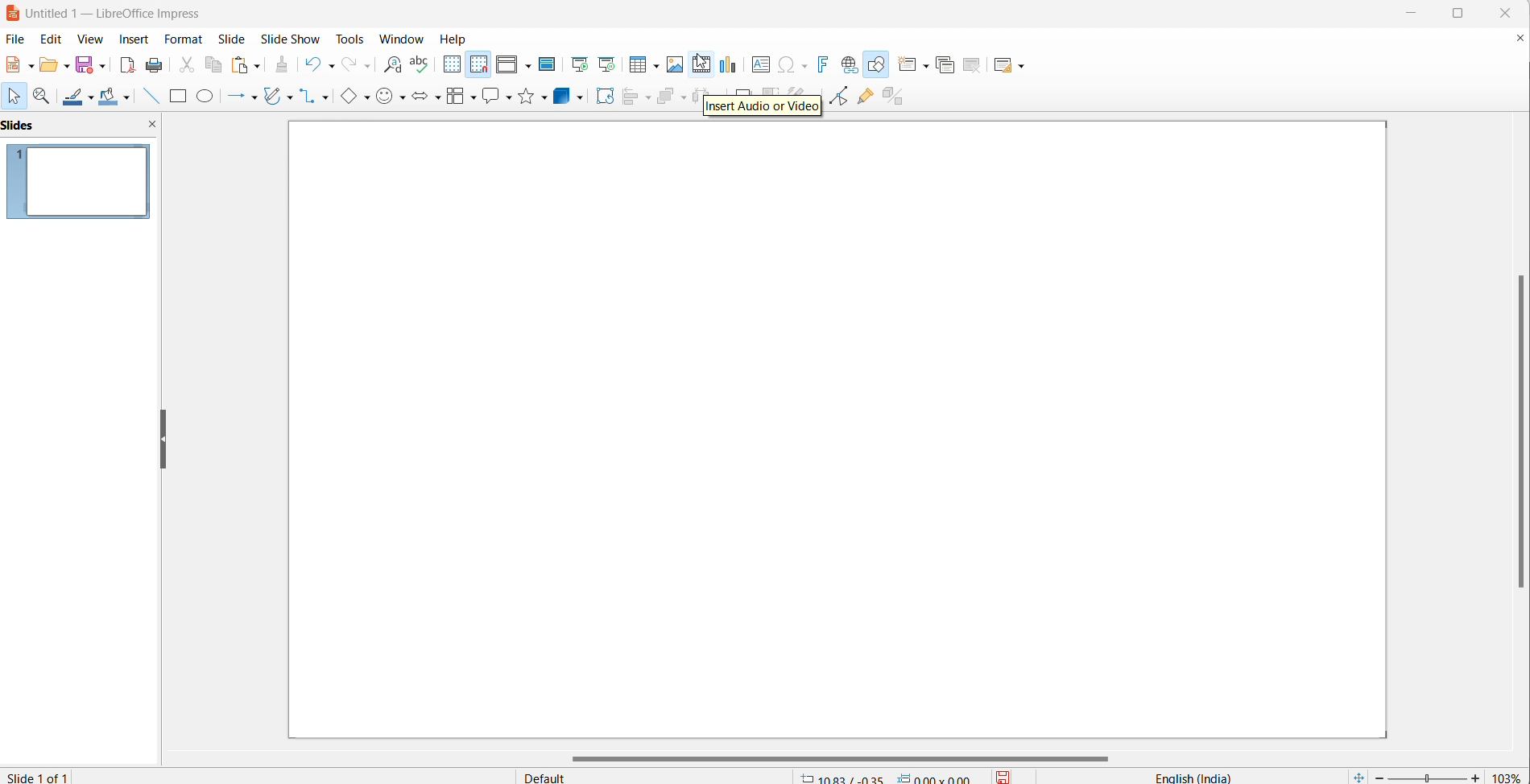  What do you see at coordinates (1429, 777) in the screenshot?
I see `zoom slide` at bounding box center [1429, 777].